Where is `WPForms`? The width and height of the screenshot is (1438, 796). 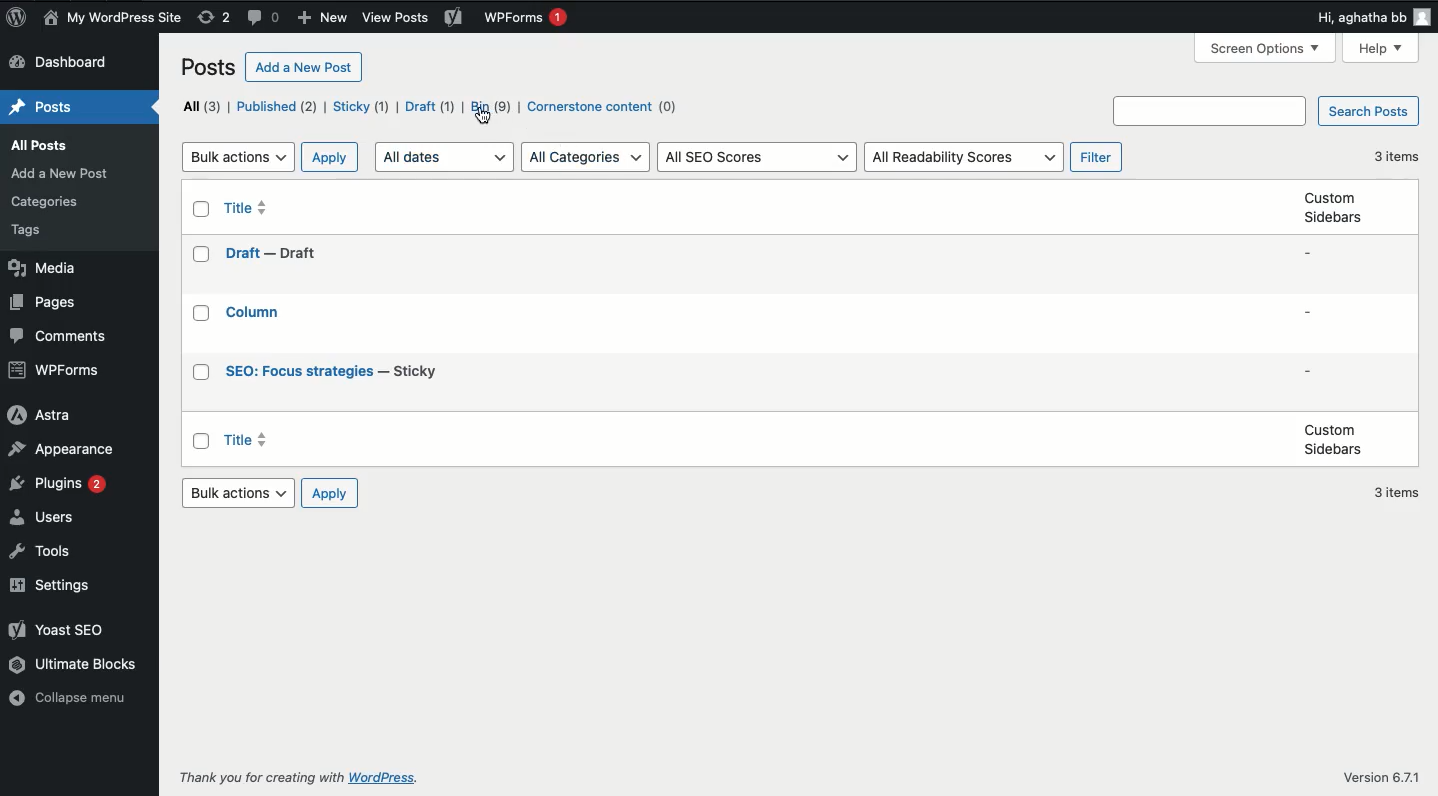
WPForms is located at coordinates (58, 370).